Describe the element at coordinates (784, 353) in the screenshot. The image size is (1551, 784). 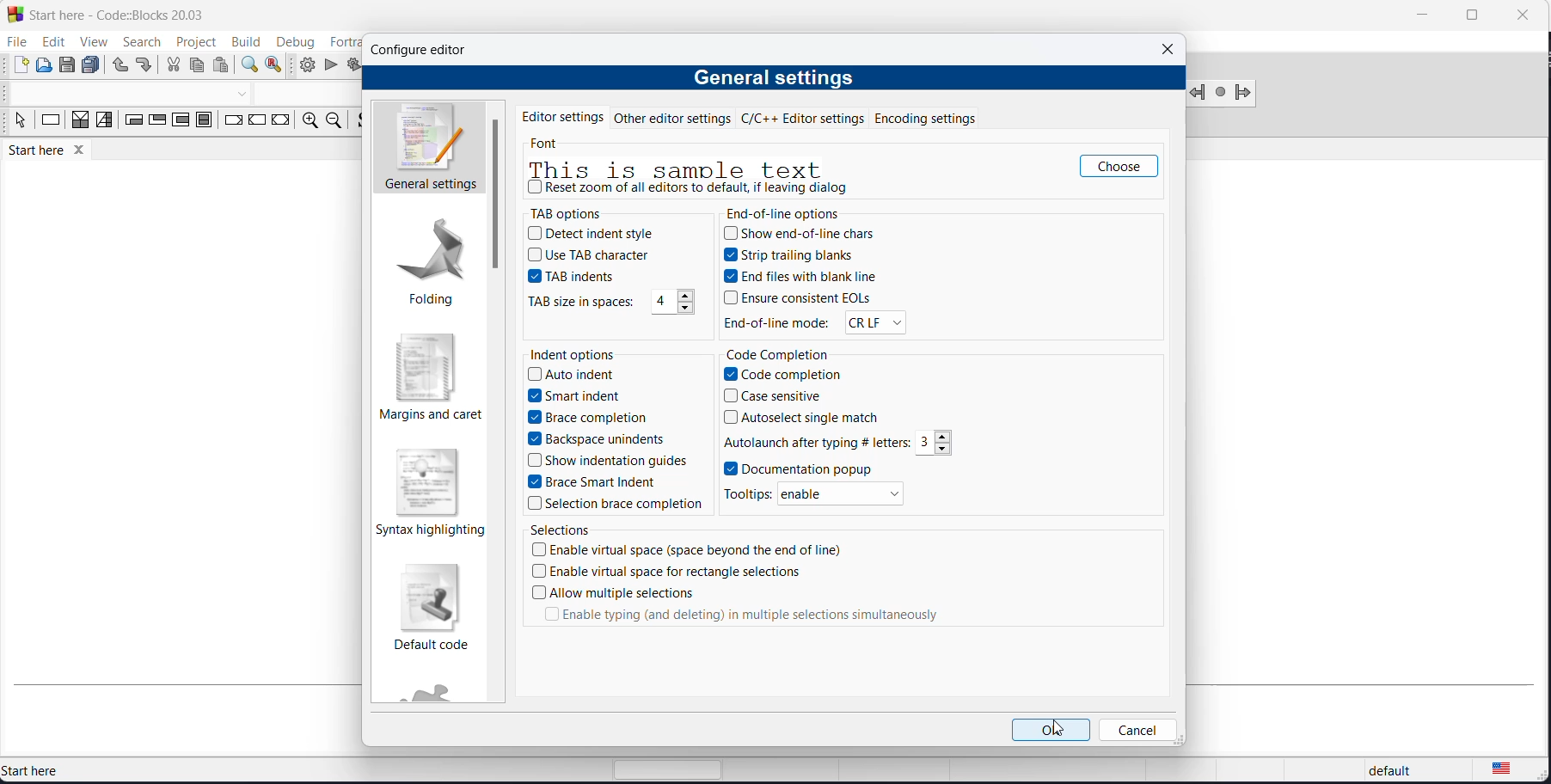
I see `code completion` at that location.